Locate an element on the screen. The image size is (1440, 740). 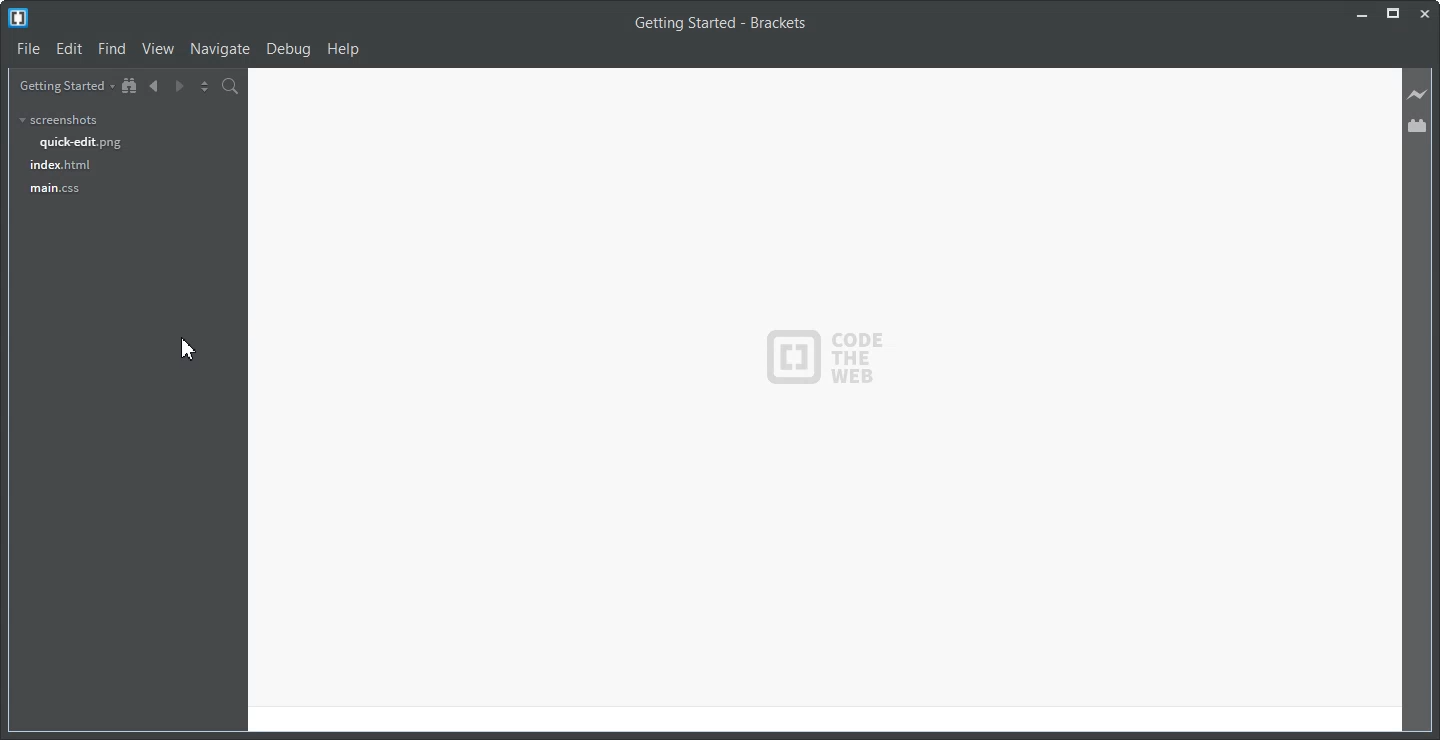
Live Preview is located at coordinates (1419, 93).